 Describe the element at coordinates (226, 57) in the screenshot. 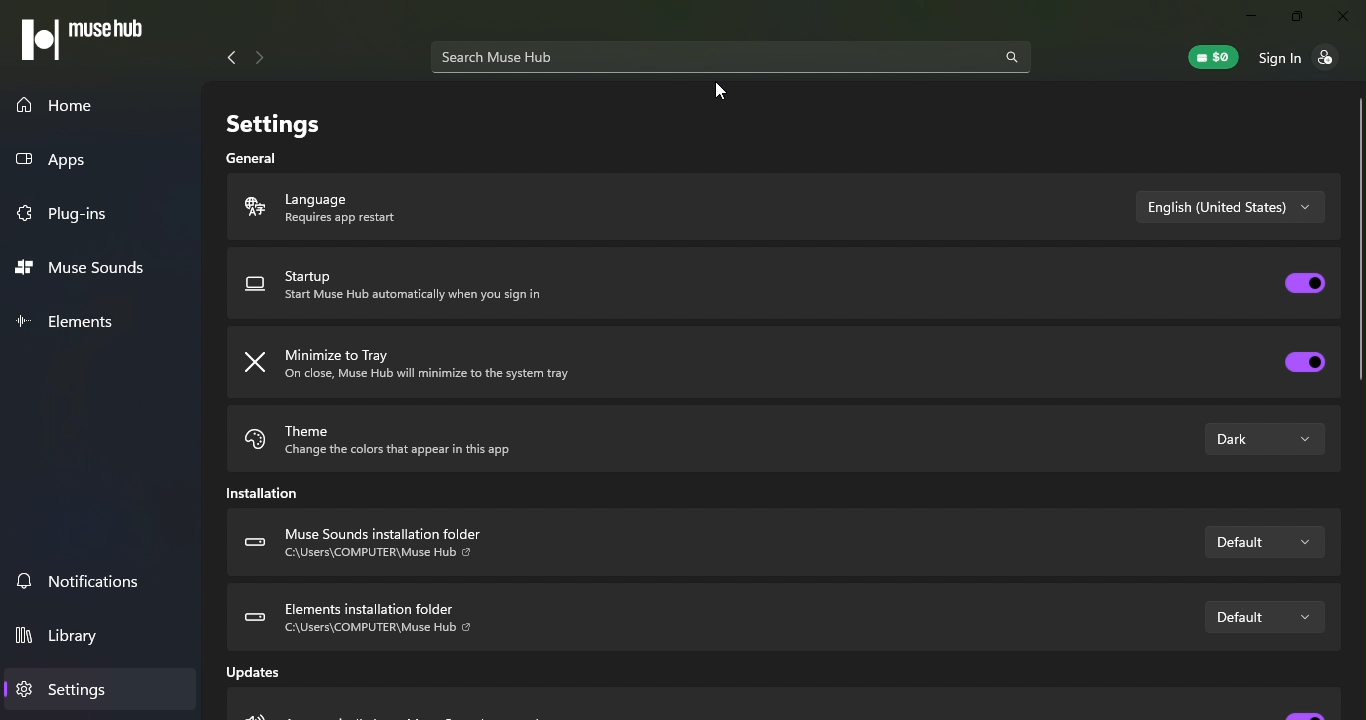

I see `Navigate back` at that location.